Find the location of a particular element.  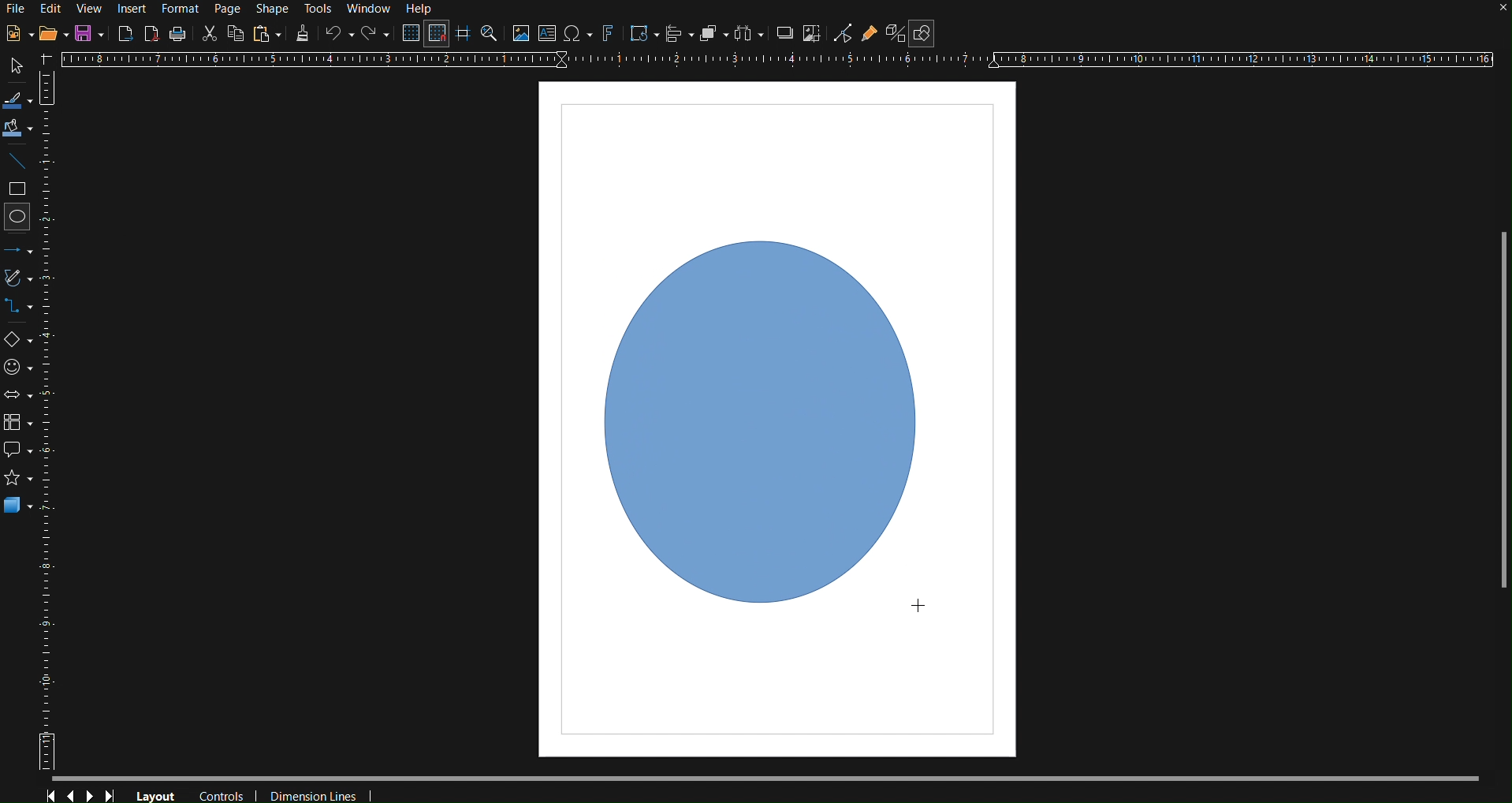

Shadow is located at coordinates (781, 35).